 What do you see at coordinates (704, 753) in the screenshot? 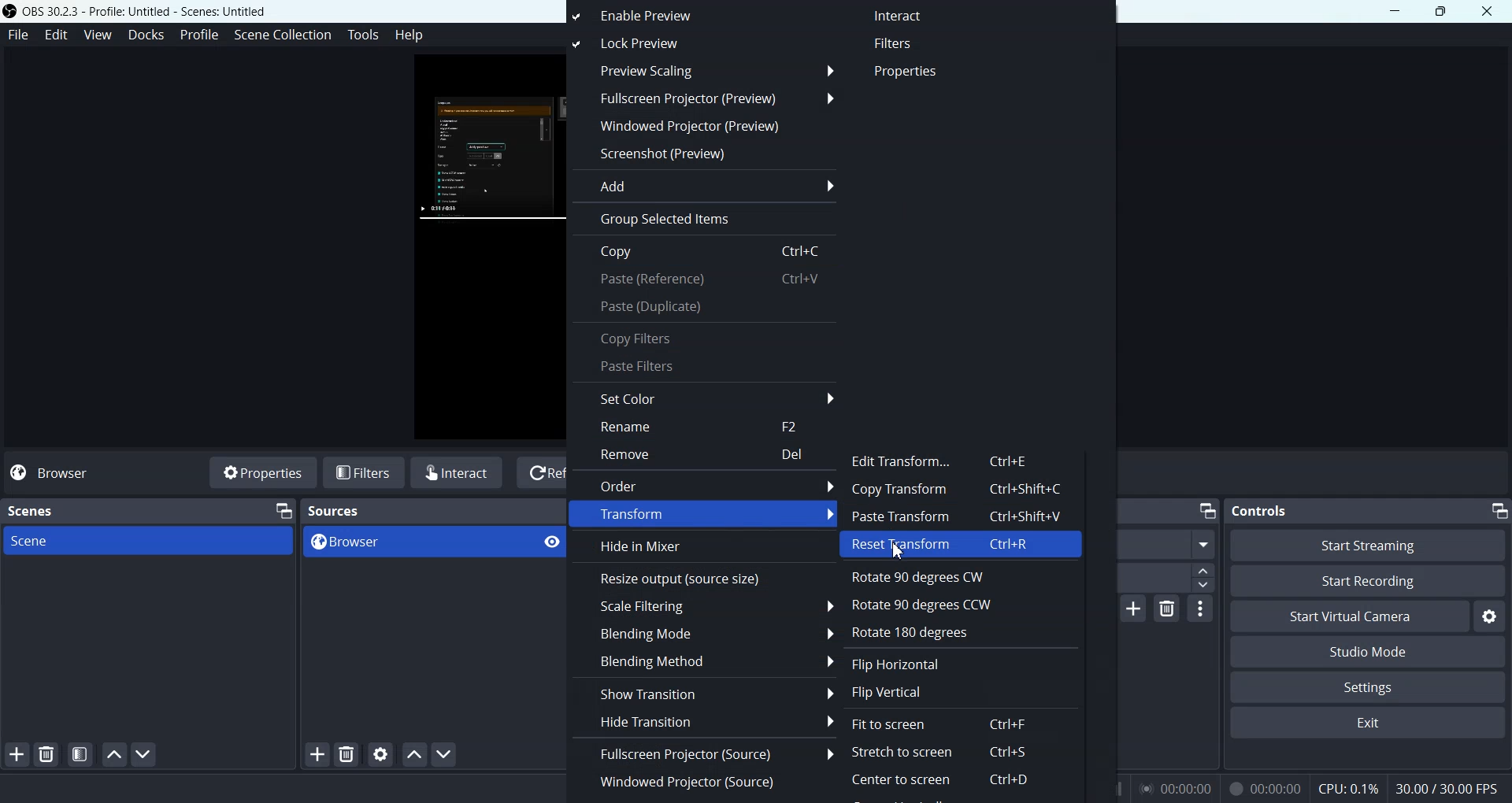
I see `Fullscreen Projector (Source)` at bounding box center [704, 753].